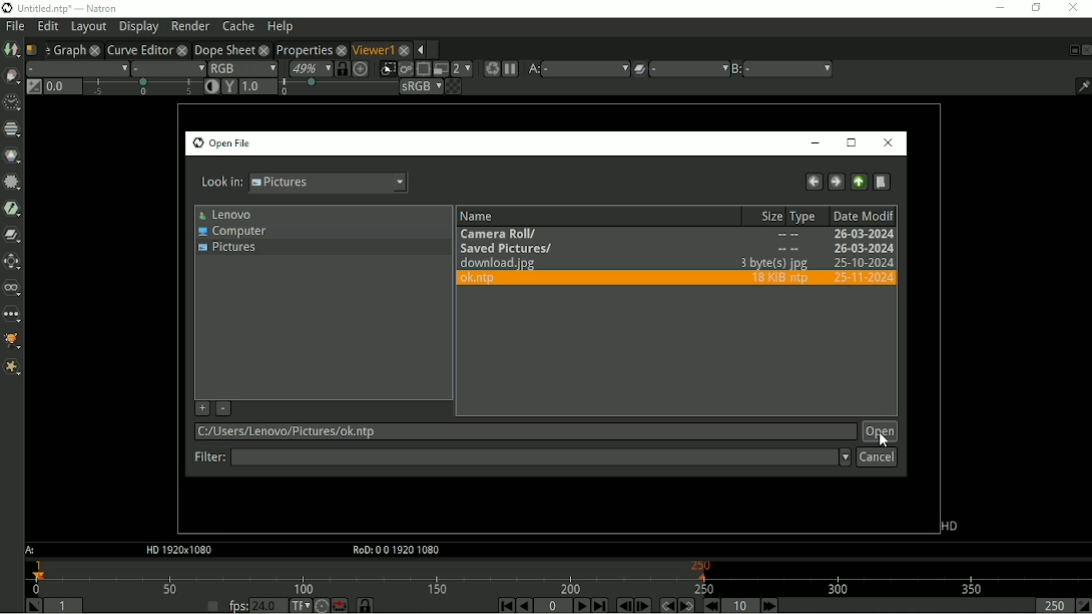 The width and height of the screenshot is (1092, 614). Describe the element at coordinates (480, 216) in the screenshot. I see `Name` at that location.